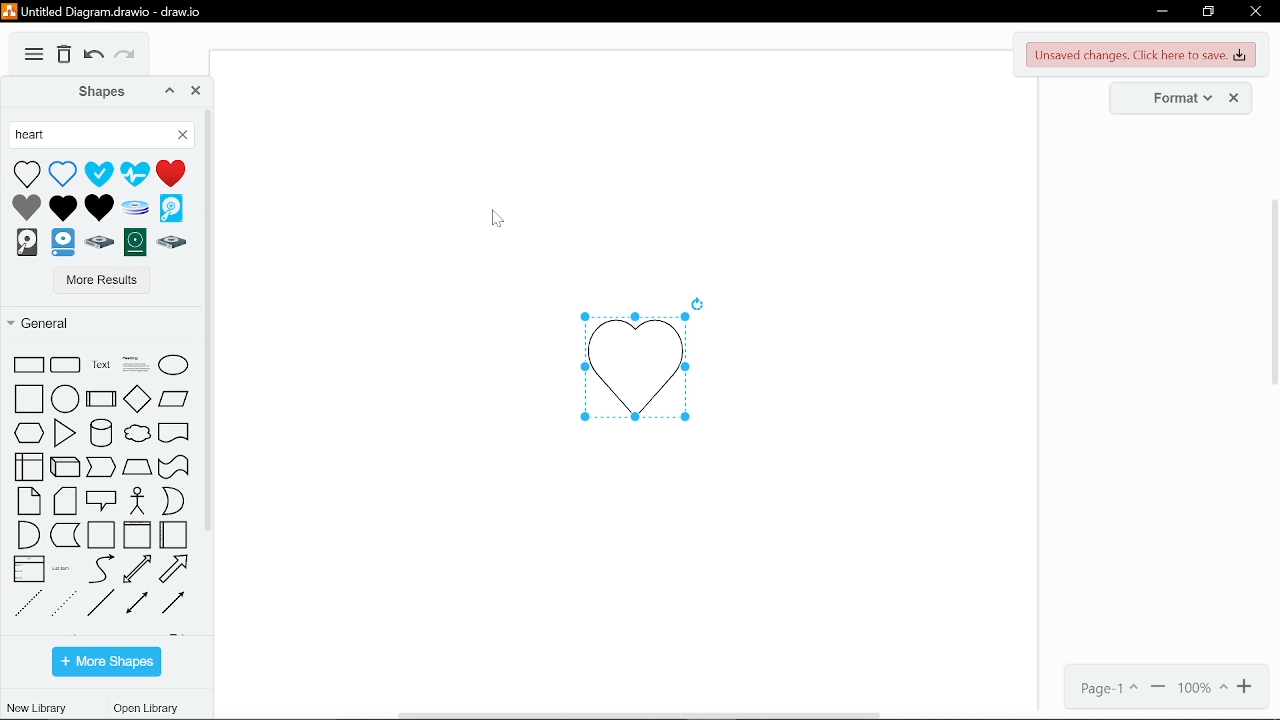 The height and width of the screenshot is (720, 1280). What do you see at coordinates (34, 55) in the screenshot?
I see `diagram` at bounding box center [34, 55].